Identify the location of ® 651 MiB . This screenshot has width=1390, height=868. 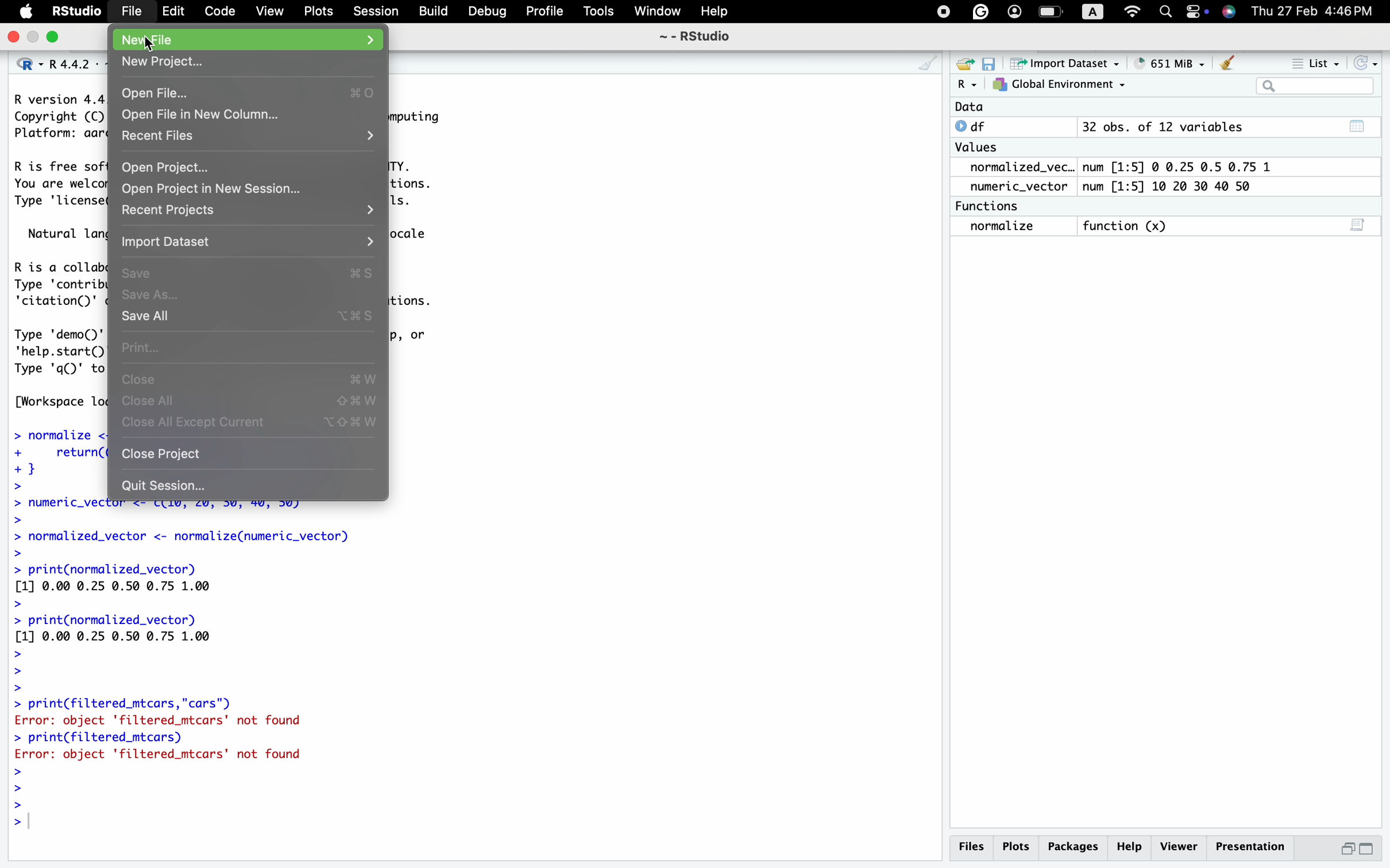
(1167, 61).